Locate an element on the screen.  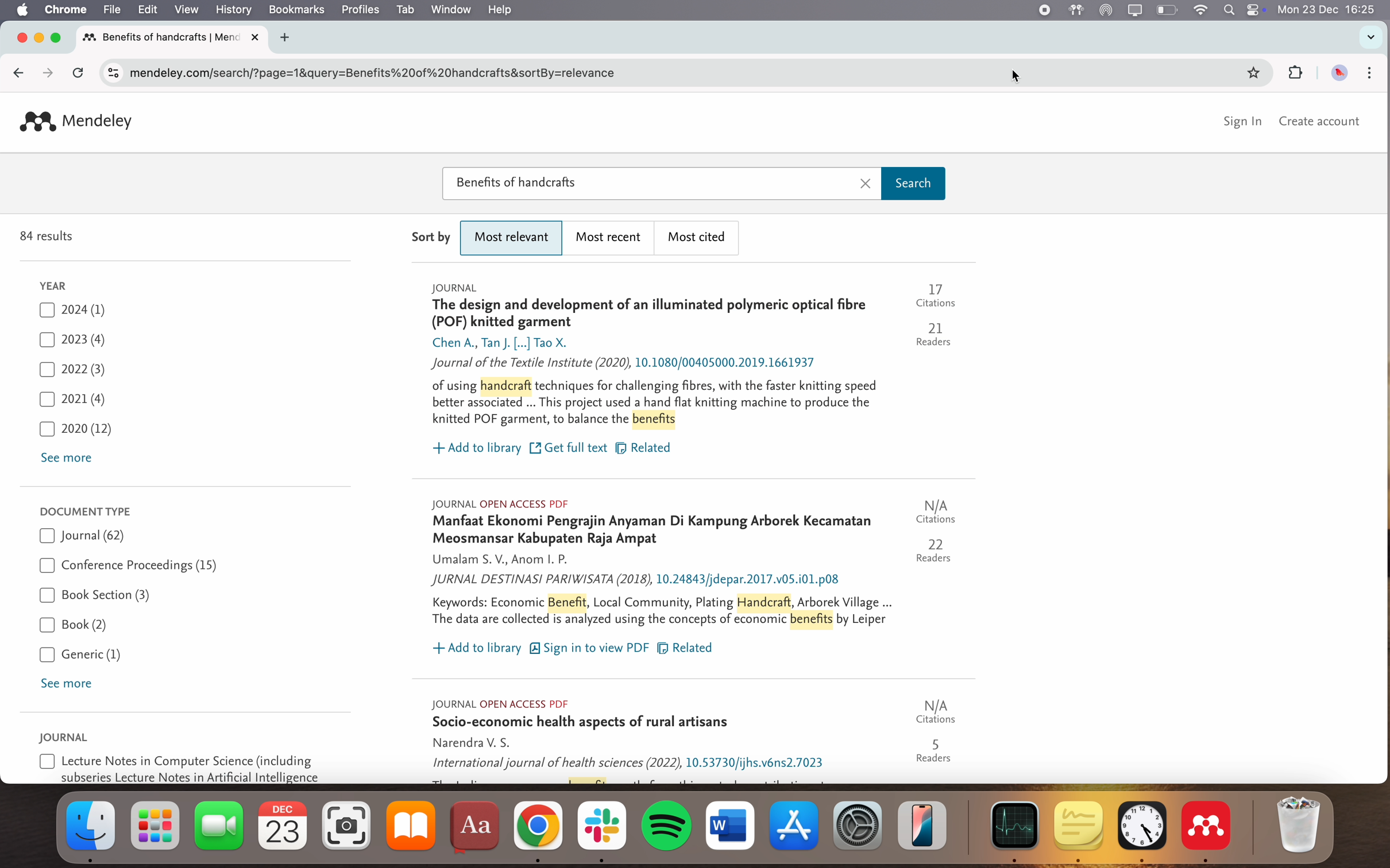
most recent is located at coordinates (612, 239).